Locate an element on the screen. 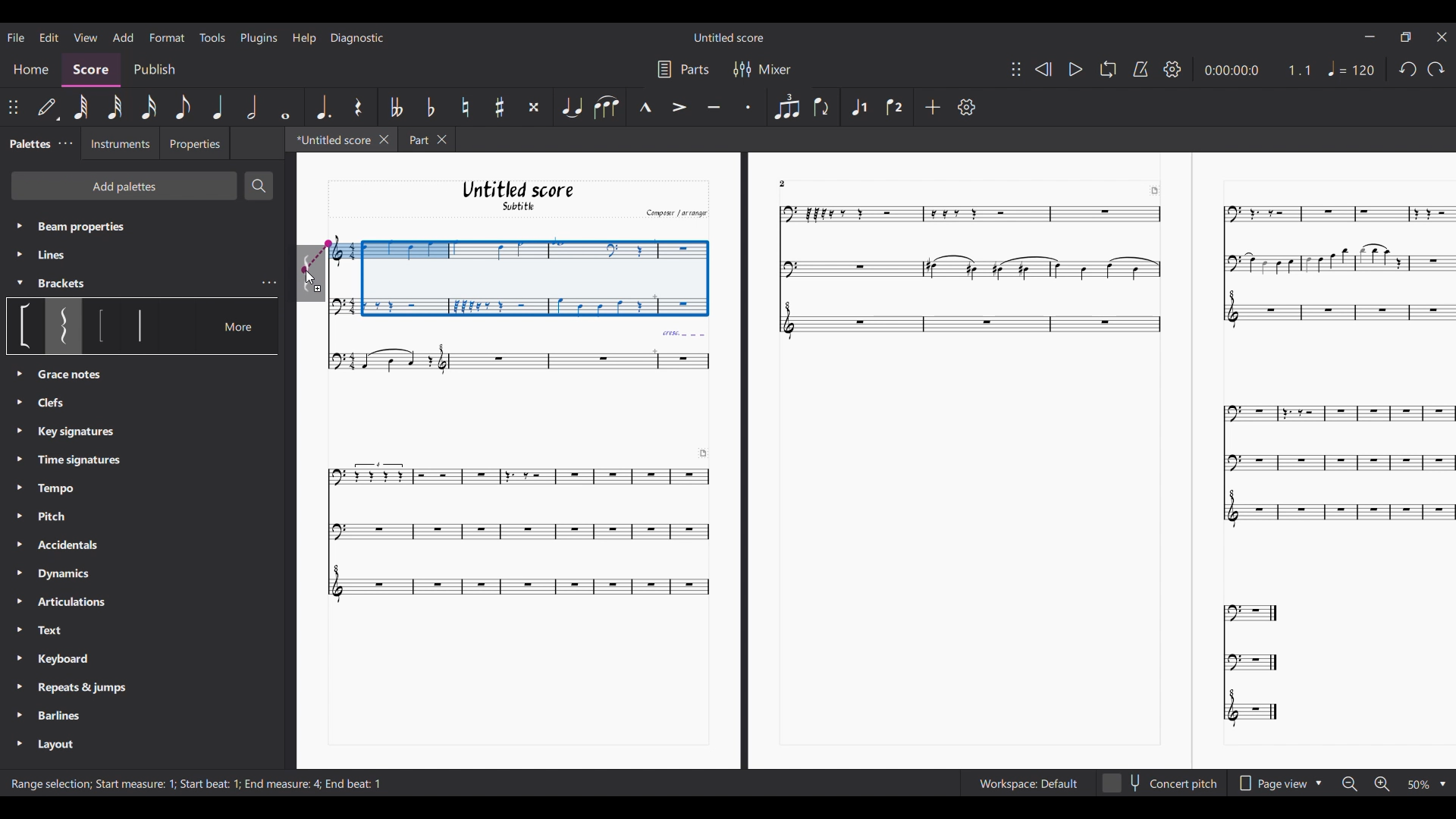  Palette settings is located at coordinates (65, 144).